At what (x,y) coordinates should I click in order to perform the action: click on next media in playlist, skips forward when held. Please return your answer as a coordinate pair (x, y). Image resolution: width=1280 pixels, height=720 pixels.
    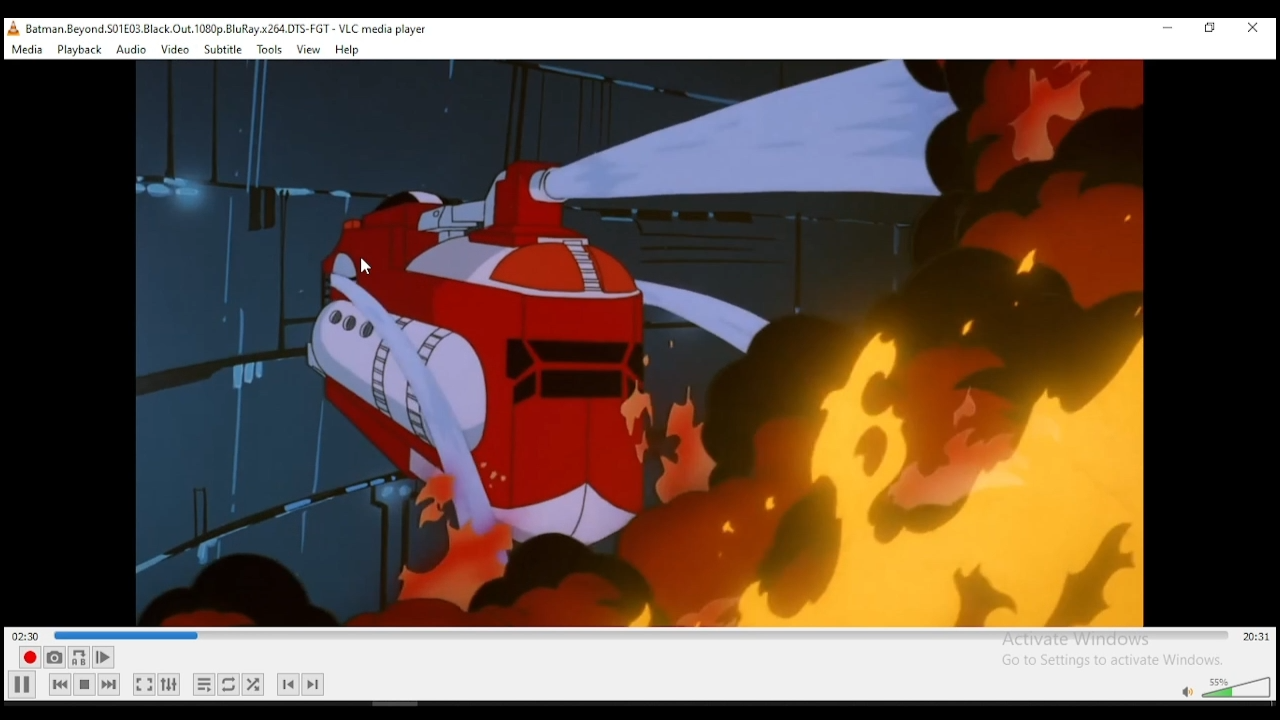
    Looking at the image, I should click on (108, 685).